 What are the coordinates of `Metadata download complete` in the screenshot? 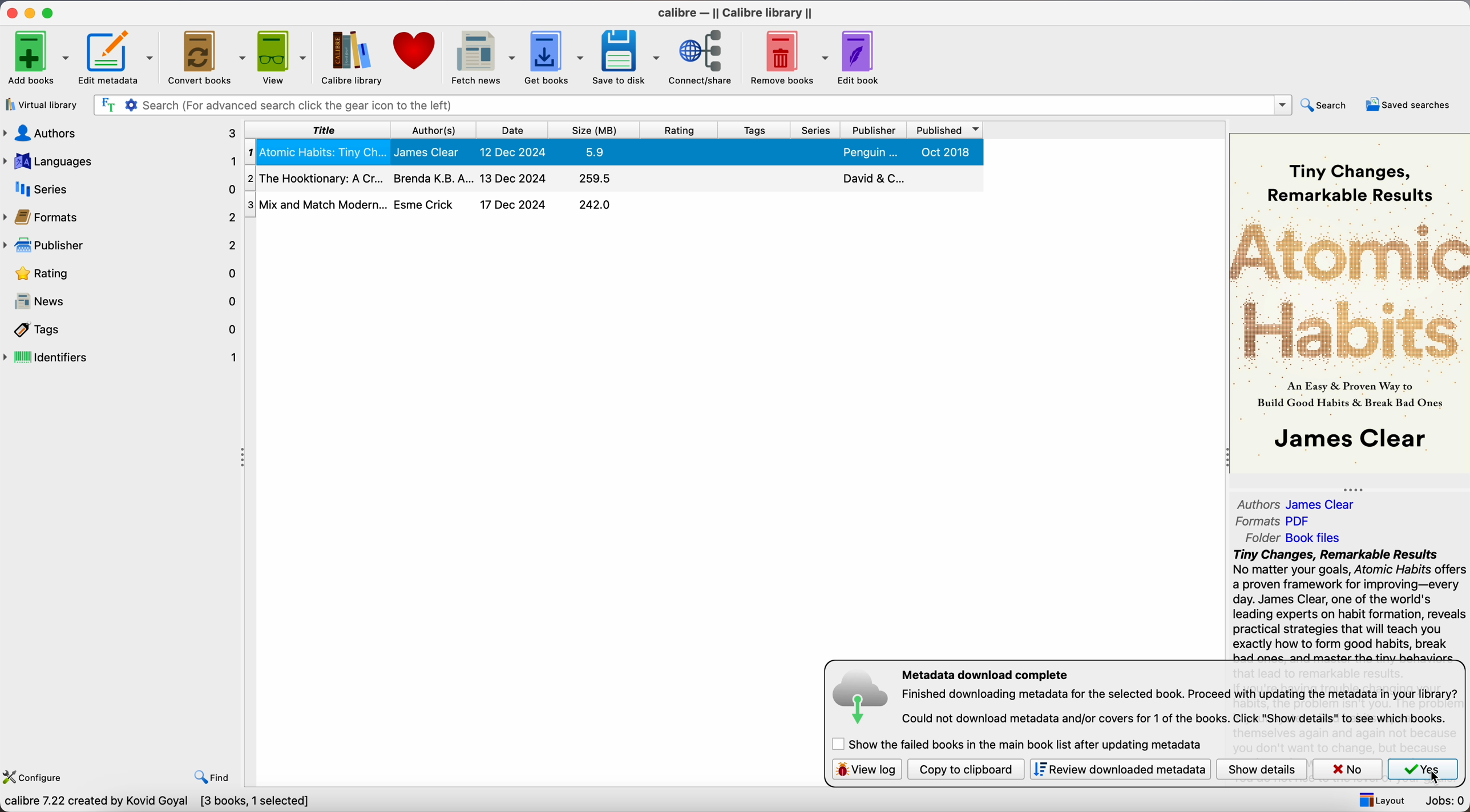 It's located at (987, 674).